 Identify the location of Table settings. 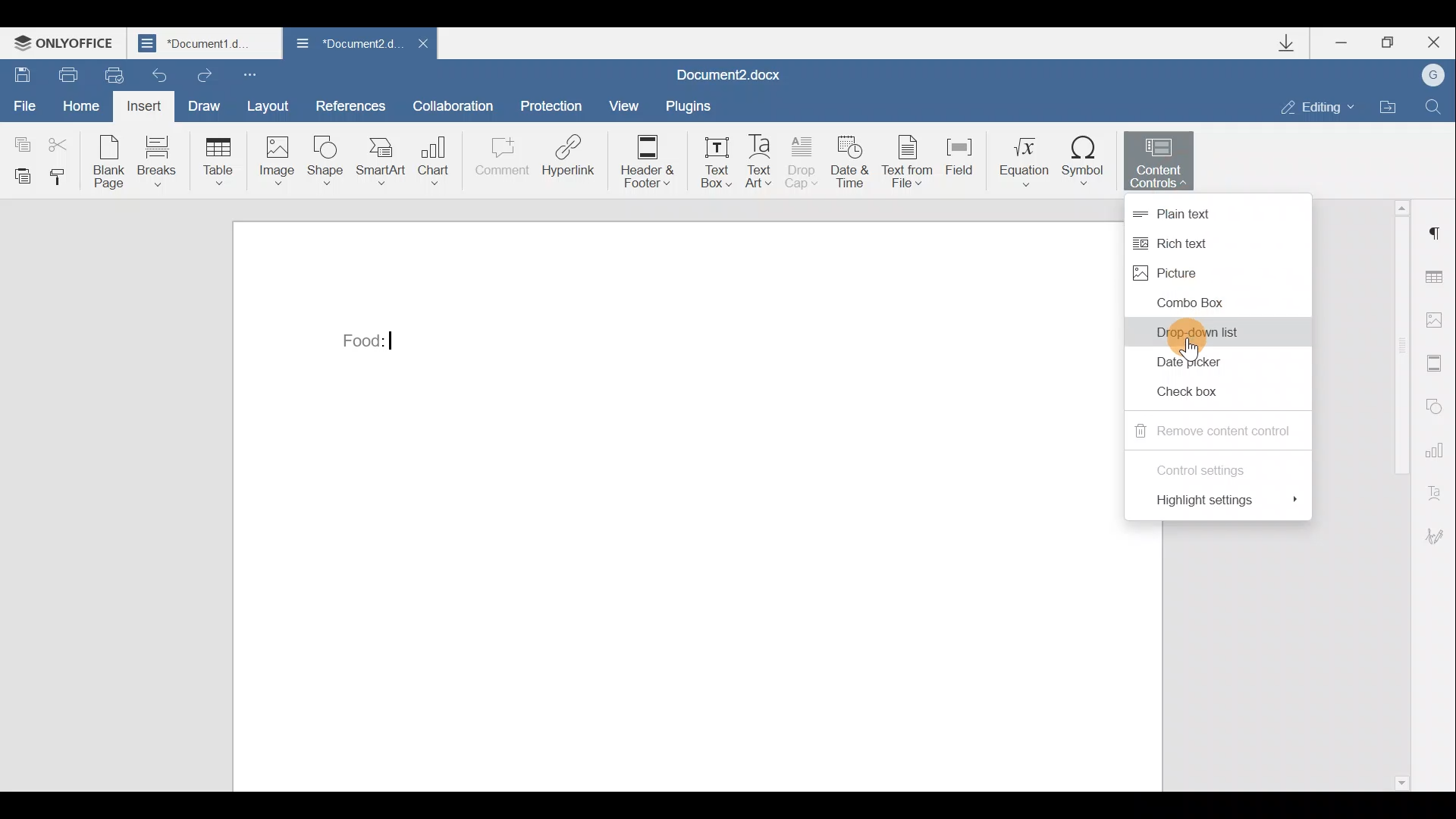
(1439, 279).